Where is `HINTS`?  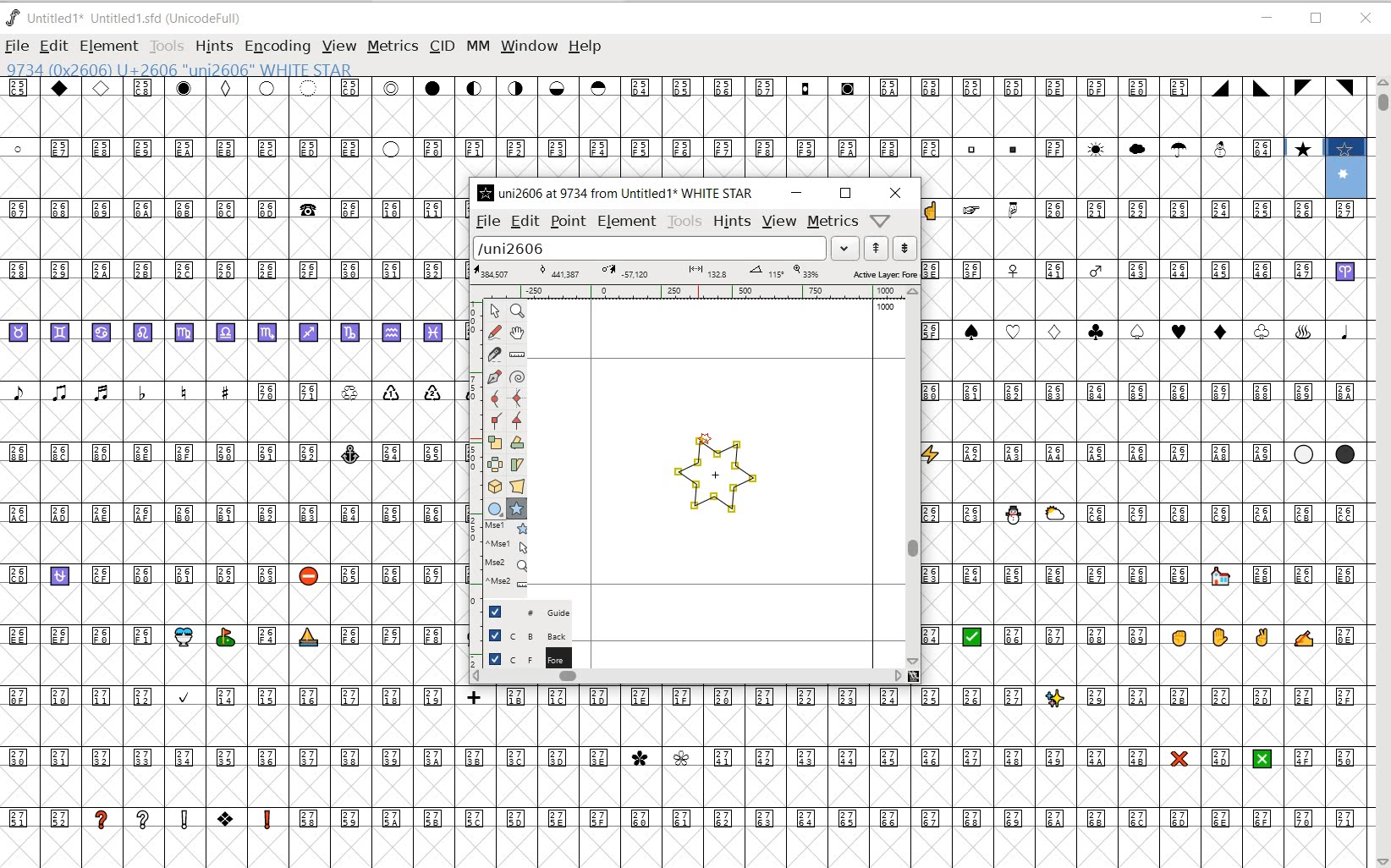 HINTS is located at coordinates (214, 47).